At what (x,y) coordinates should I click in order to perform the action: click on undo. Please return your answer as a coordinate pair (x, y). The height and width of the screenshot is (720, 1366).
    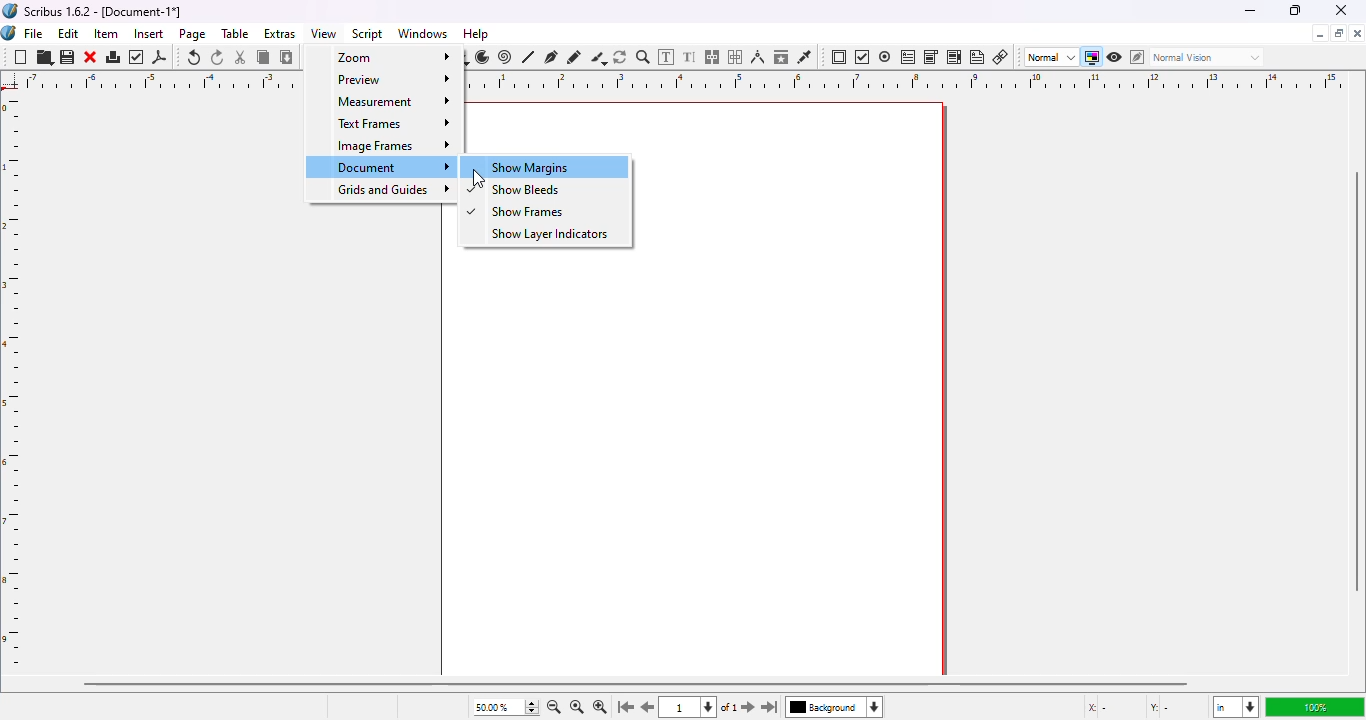
    Looking at the image, I should click on (194, 57).